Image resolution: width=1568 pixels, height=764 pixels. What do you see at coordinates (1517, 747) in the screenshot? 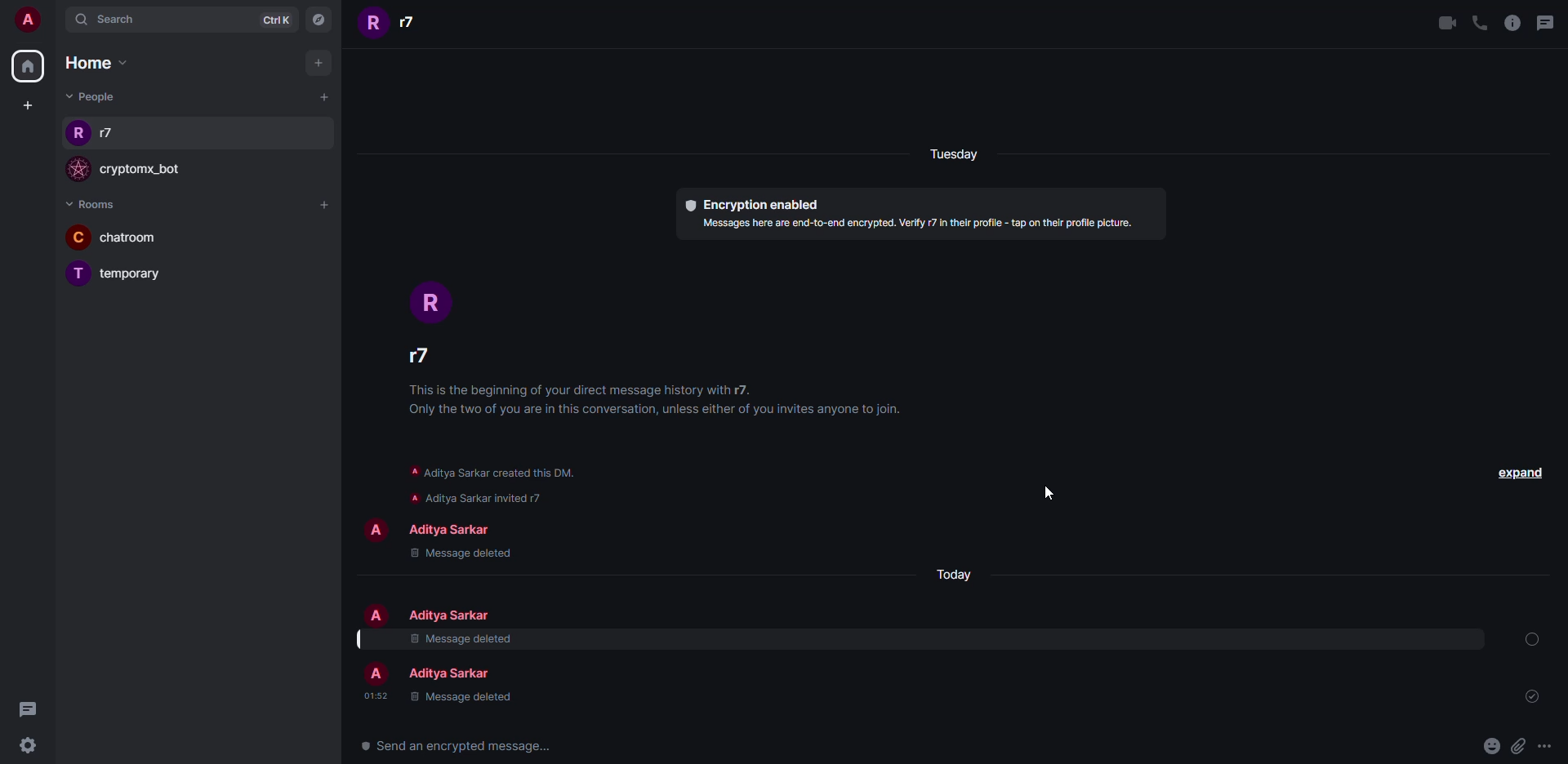
I see `attach` at bounding box center [1517, 747].